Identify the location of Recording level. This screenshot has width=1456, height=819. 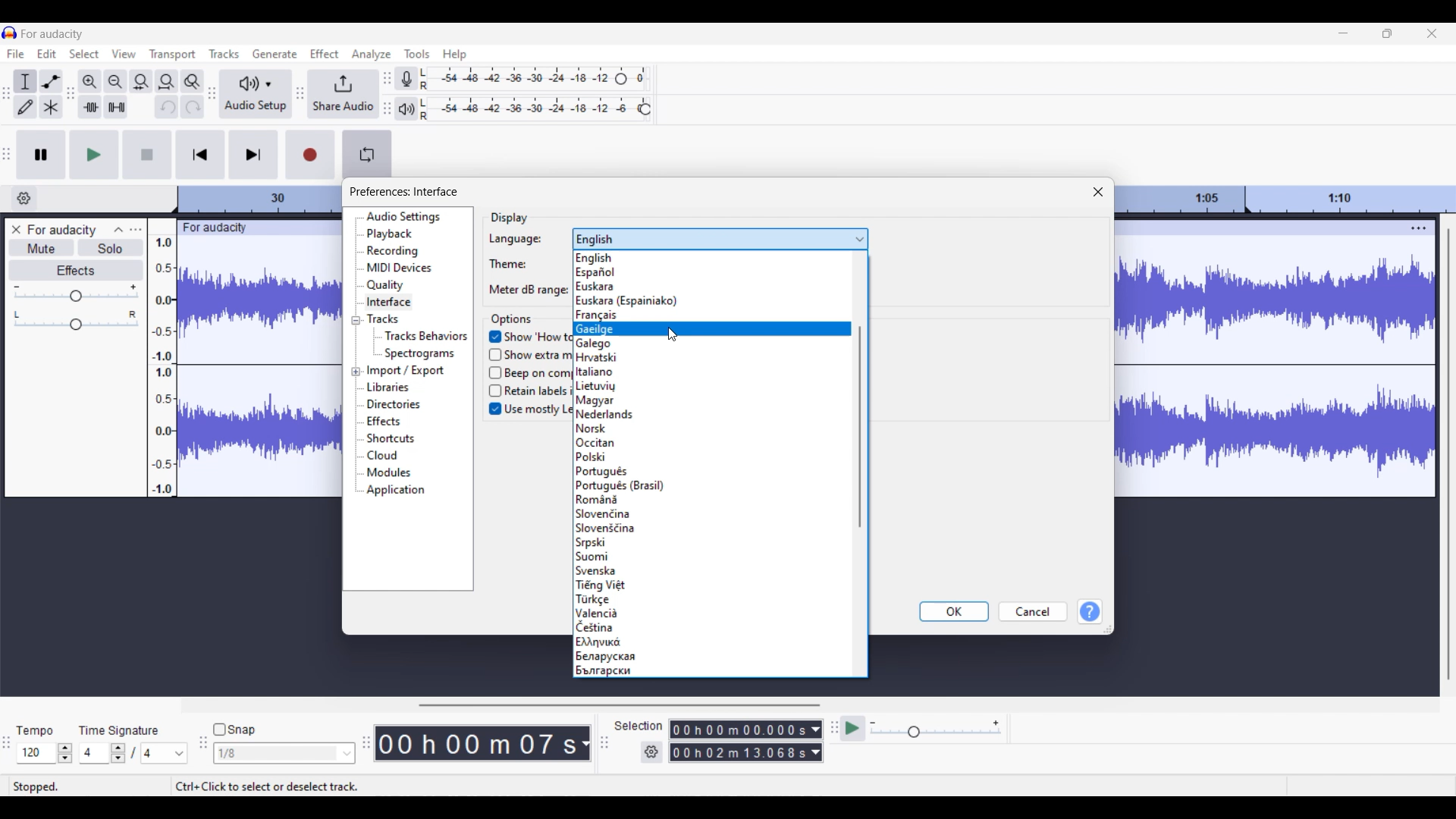
(516, 79).